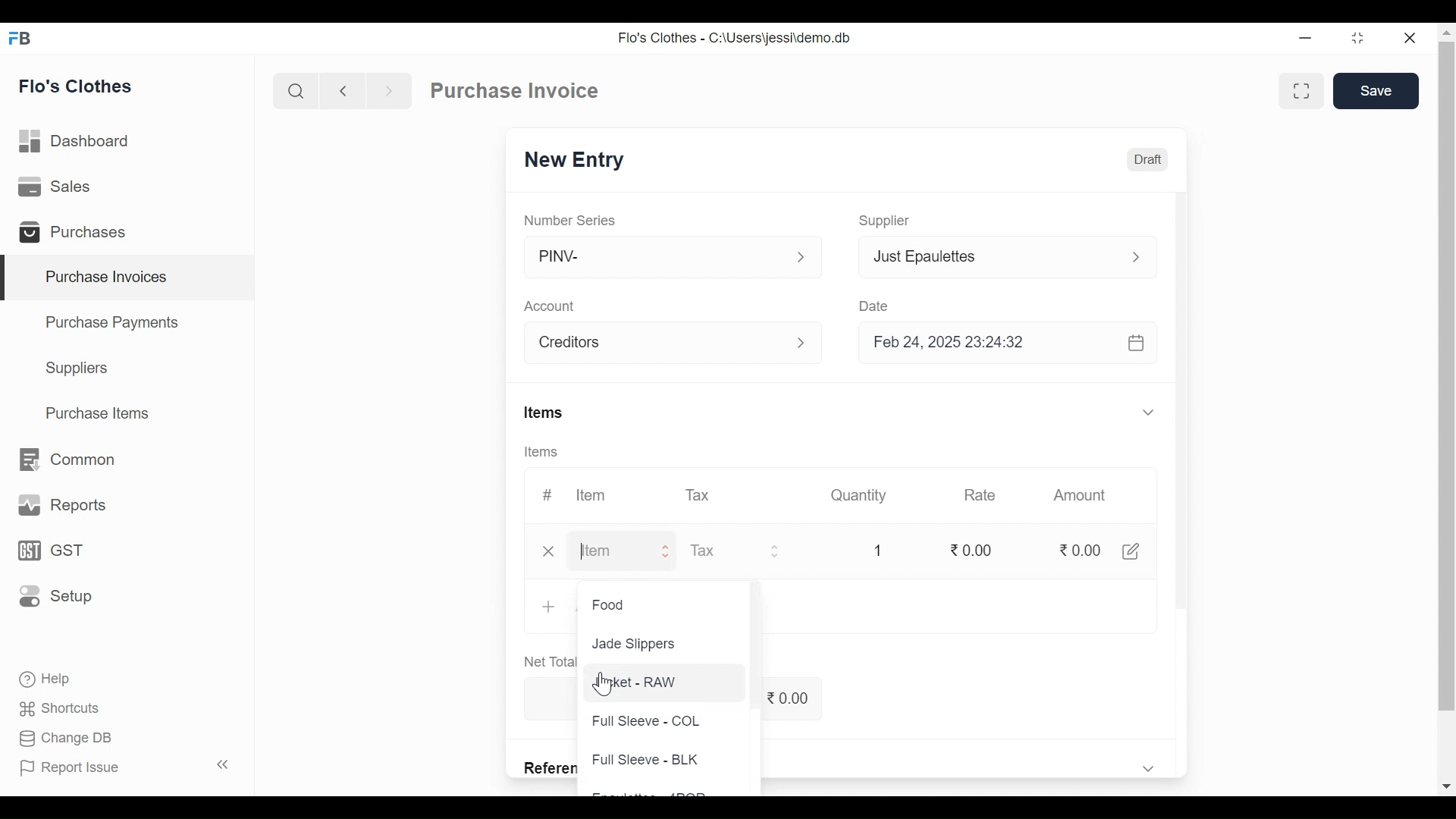 The width and height of the screenshot is (1456, 819). What do you see at coordinates (1304, 93) in the screenshot?
I see `Toggle between form and full width` at bounding box center [1304, 93].